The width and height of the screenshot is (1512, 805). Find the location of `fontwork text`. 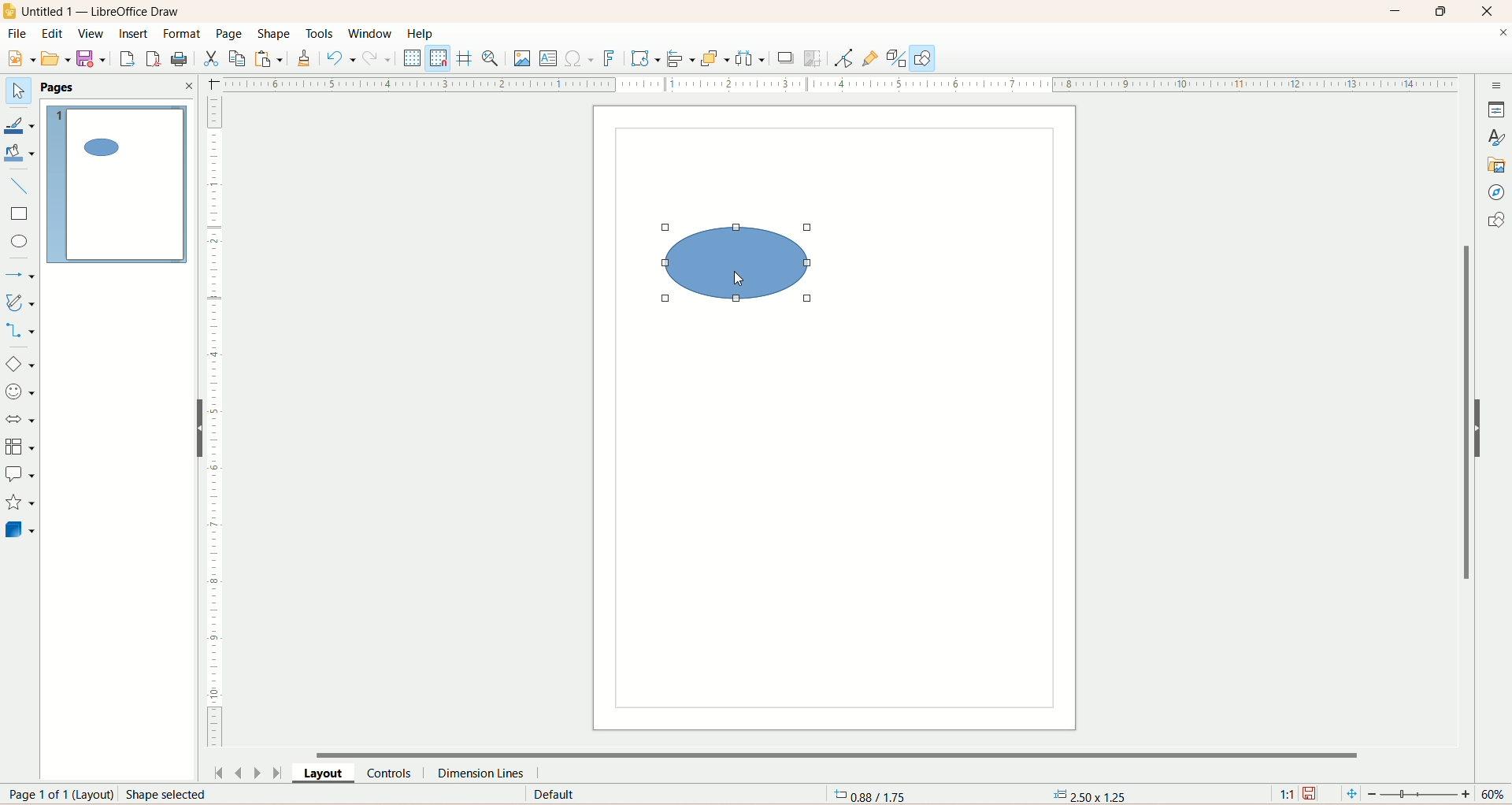

fontwork text is located at coordinates (609, 59).